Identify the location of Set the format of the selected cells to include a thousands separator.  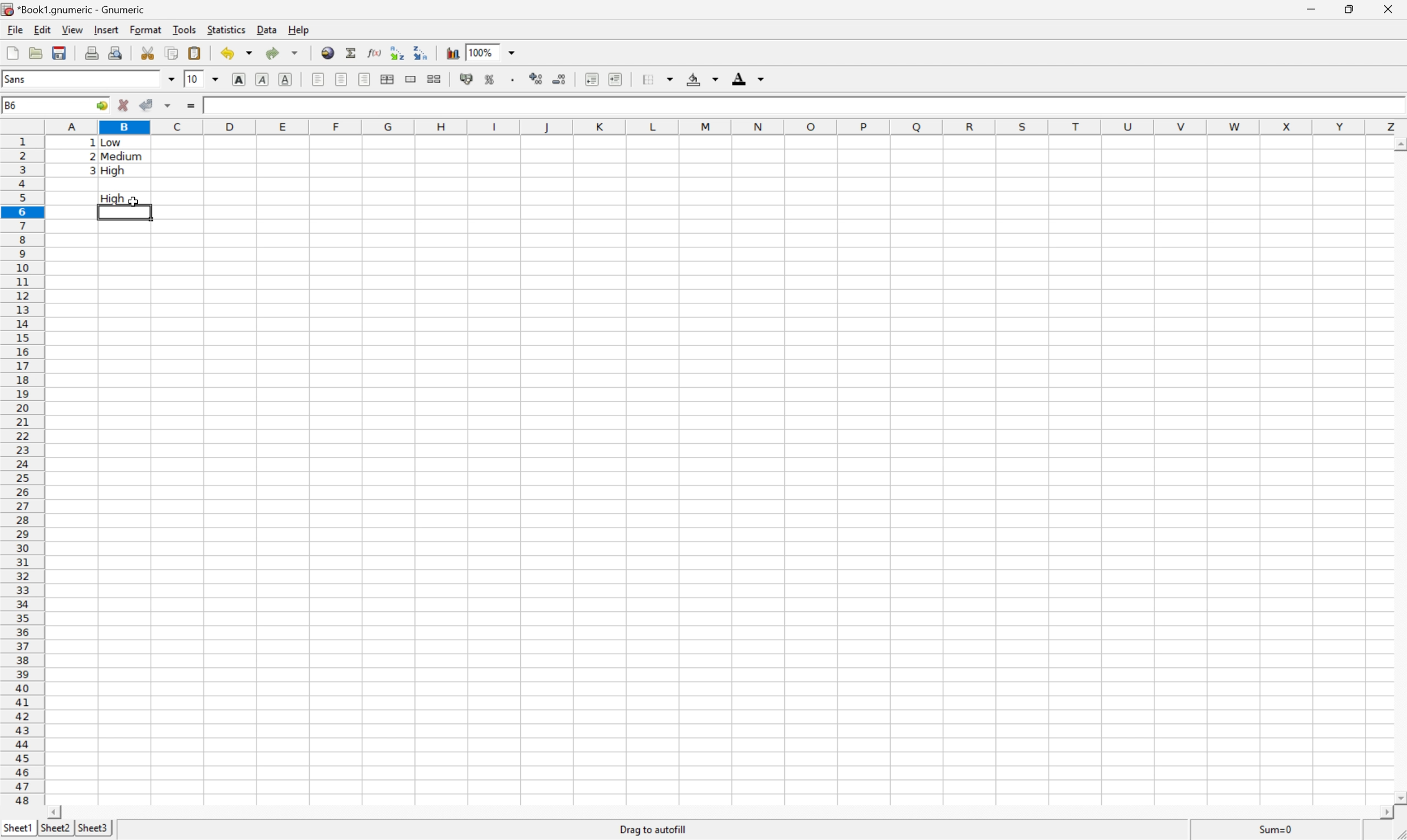
(513, 81).